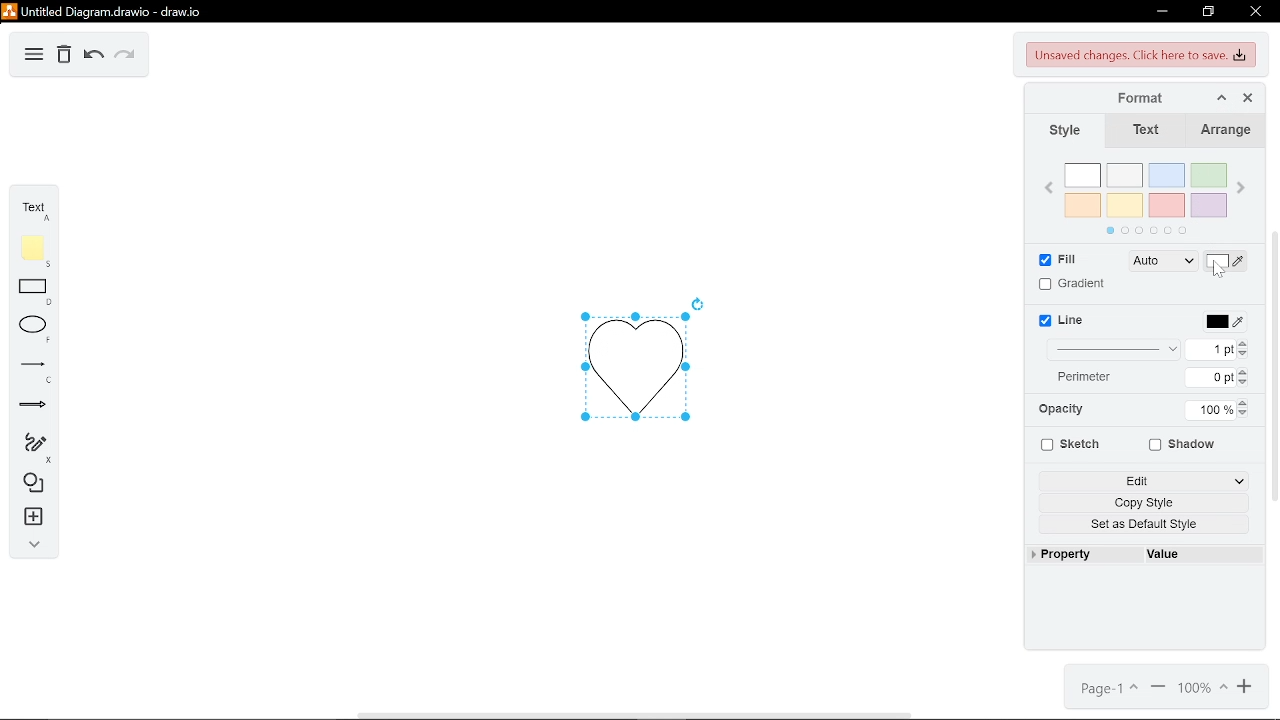 The image size is (1280, 720). What do you see at coordinates (1242, 189) in the screenshot?
I see `next` at bounding box center [1242, 189].